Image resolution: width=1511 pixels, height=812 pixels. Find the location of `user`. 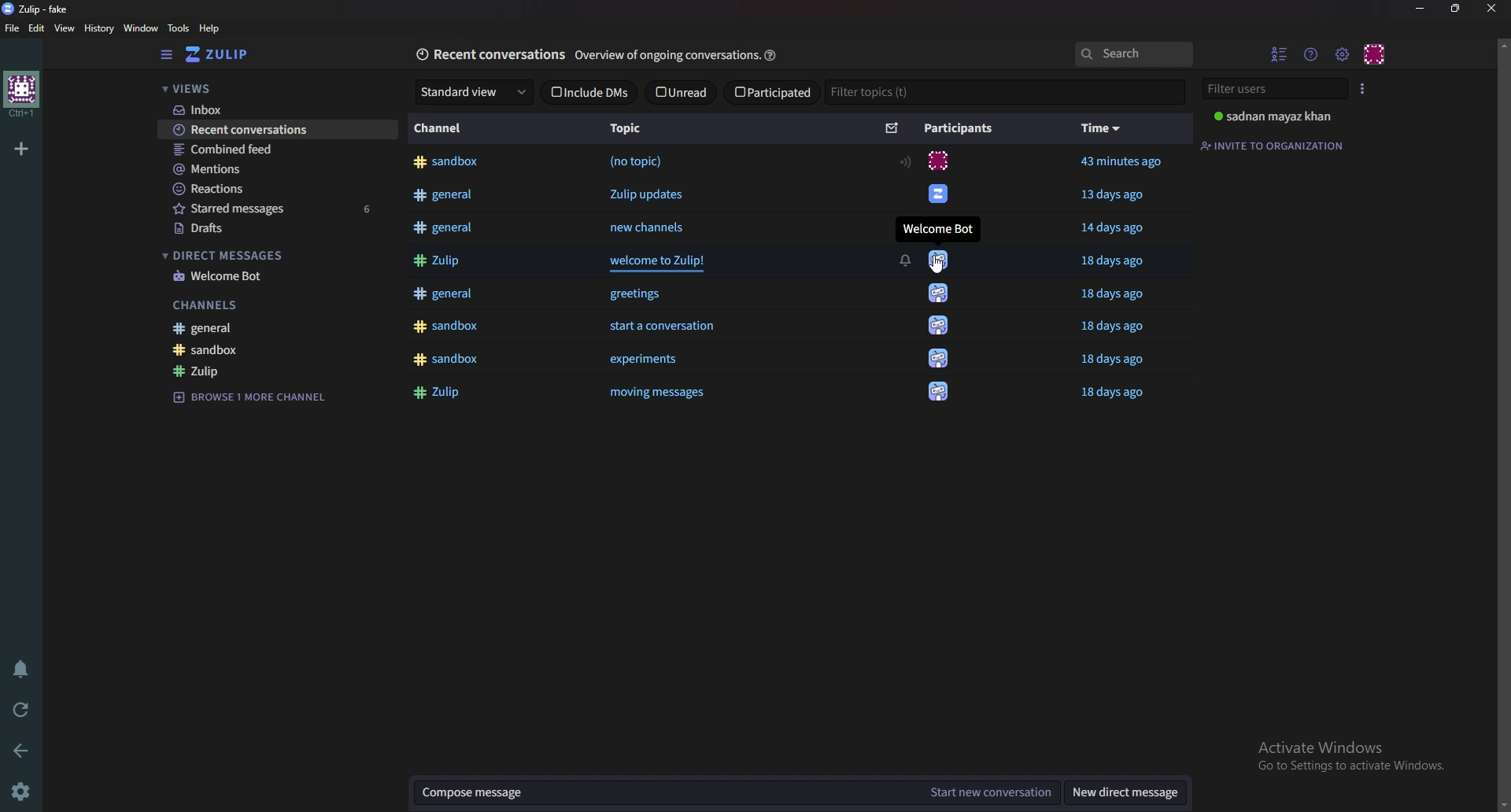

user is located at coordinates (1272, 116).